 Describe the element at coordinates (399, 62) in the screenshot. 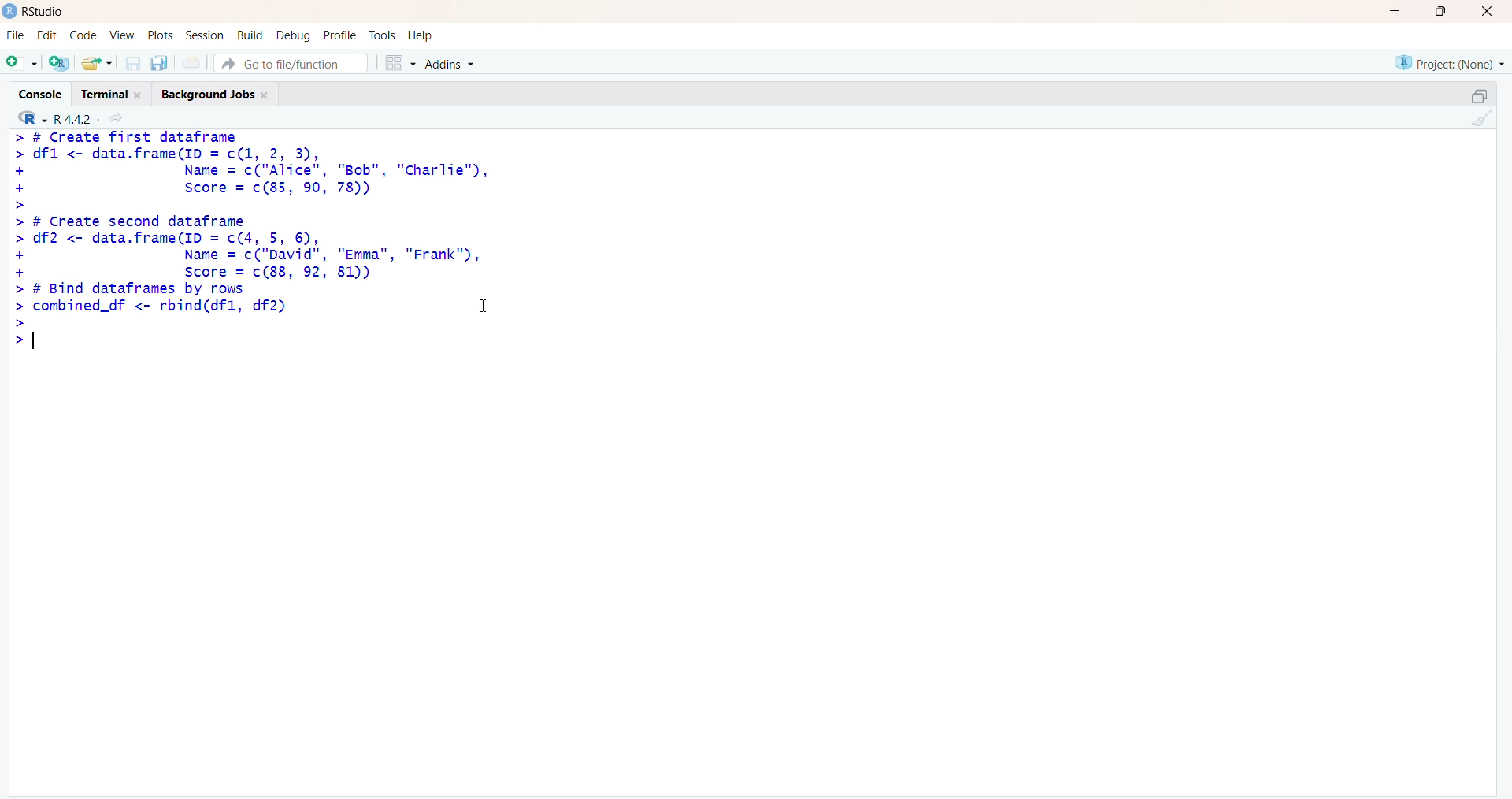

I see `workspace panes` at that location.